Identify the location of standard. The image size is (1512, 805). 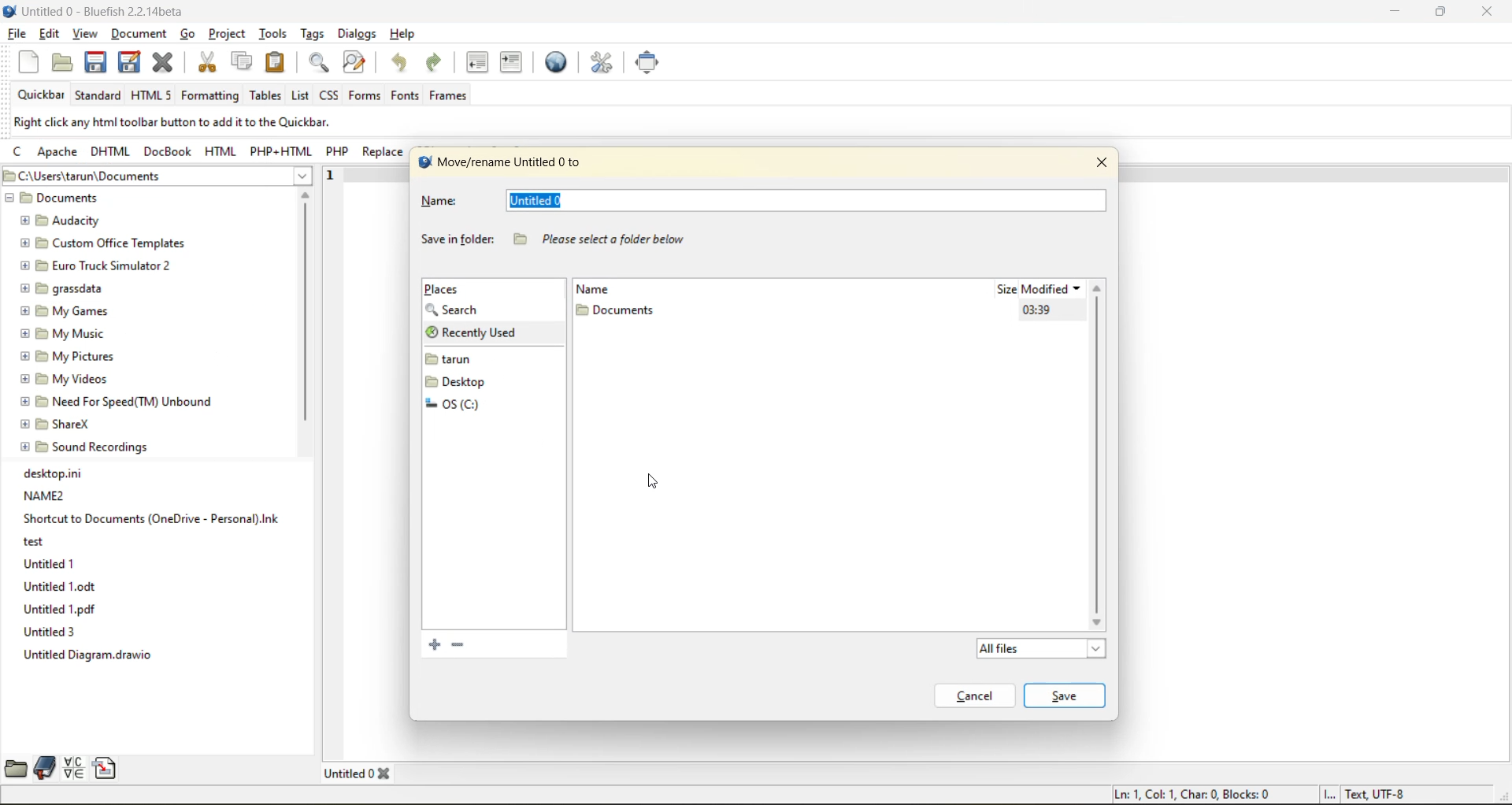
(102, 95).